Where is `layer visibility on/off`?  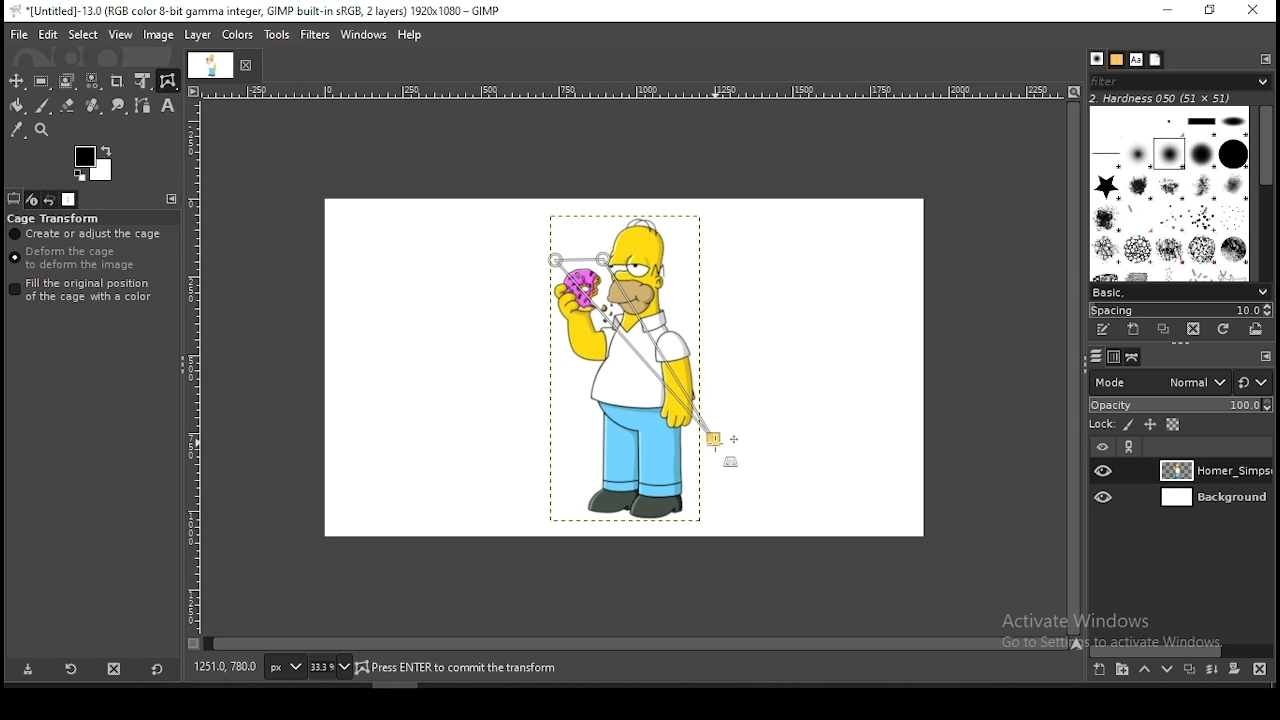
layer visibility on/off is located at coordinates (1105, 471).